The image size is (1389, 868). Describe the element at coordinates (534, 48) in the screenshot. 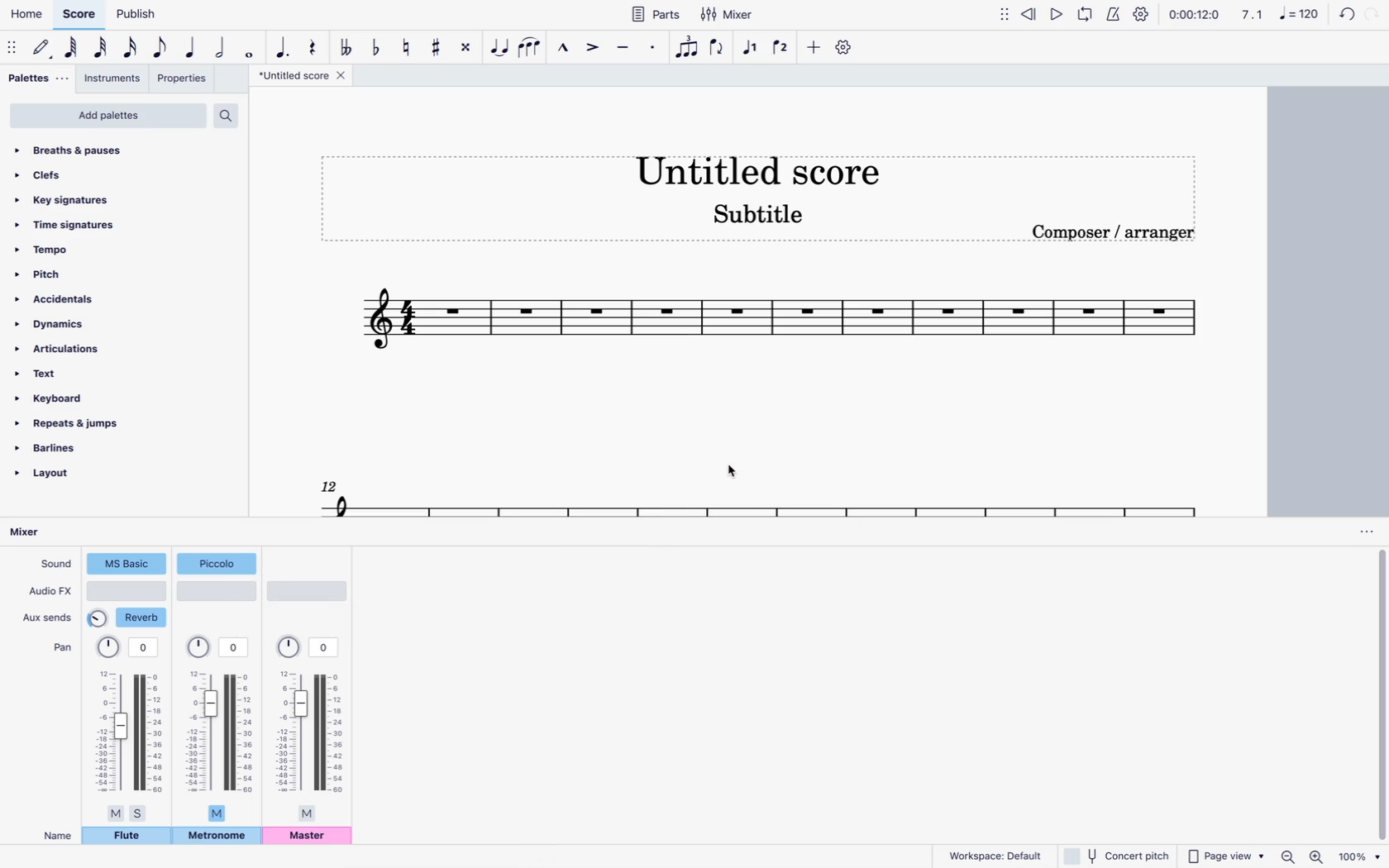

I see `slur` at that location.